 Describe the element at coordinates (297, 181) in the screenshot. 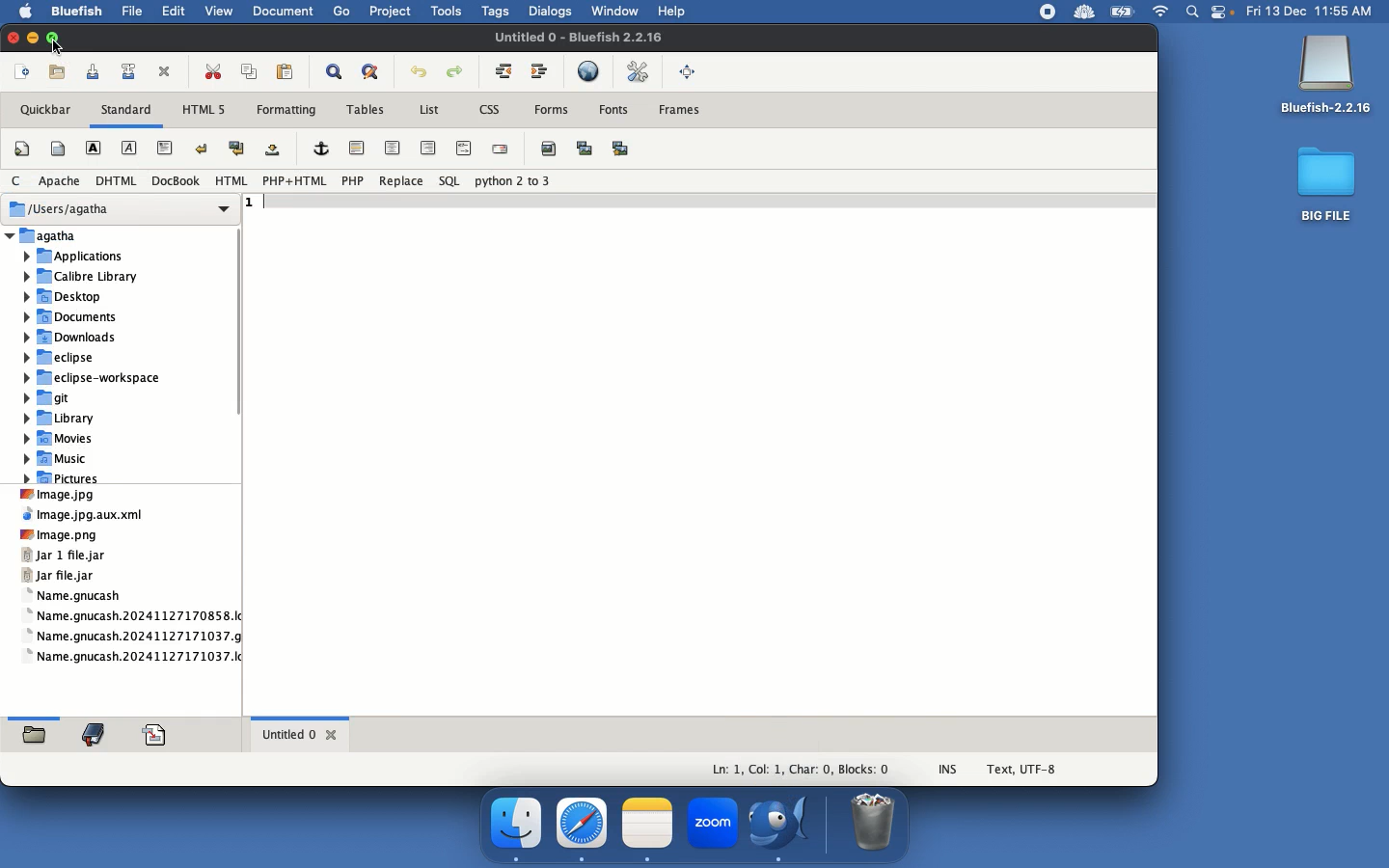

I see `PHP+HTML` at that location.